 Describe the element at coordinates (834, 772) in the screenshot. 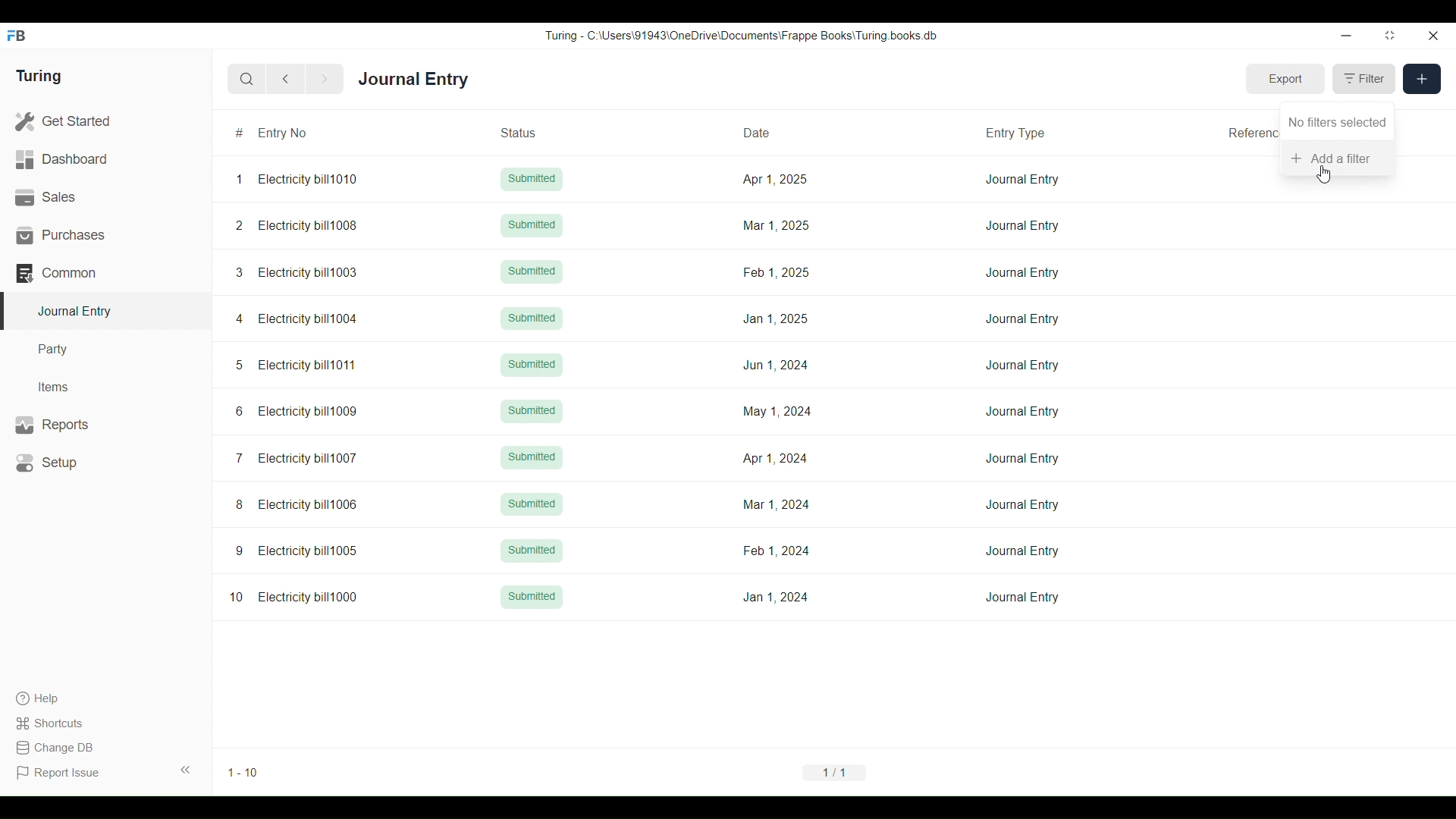

I see `1/1` at that location.